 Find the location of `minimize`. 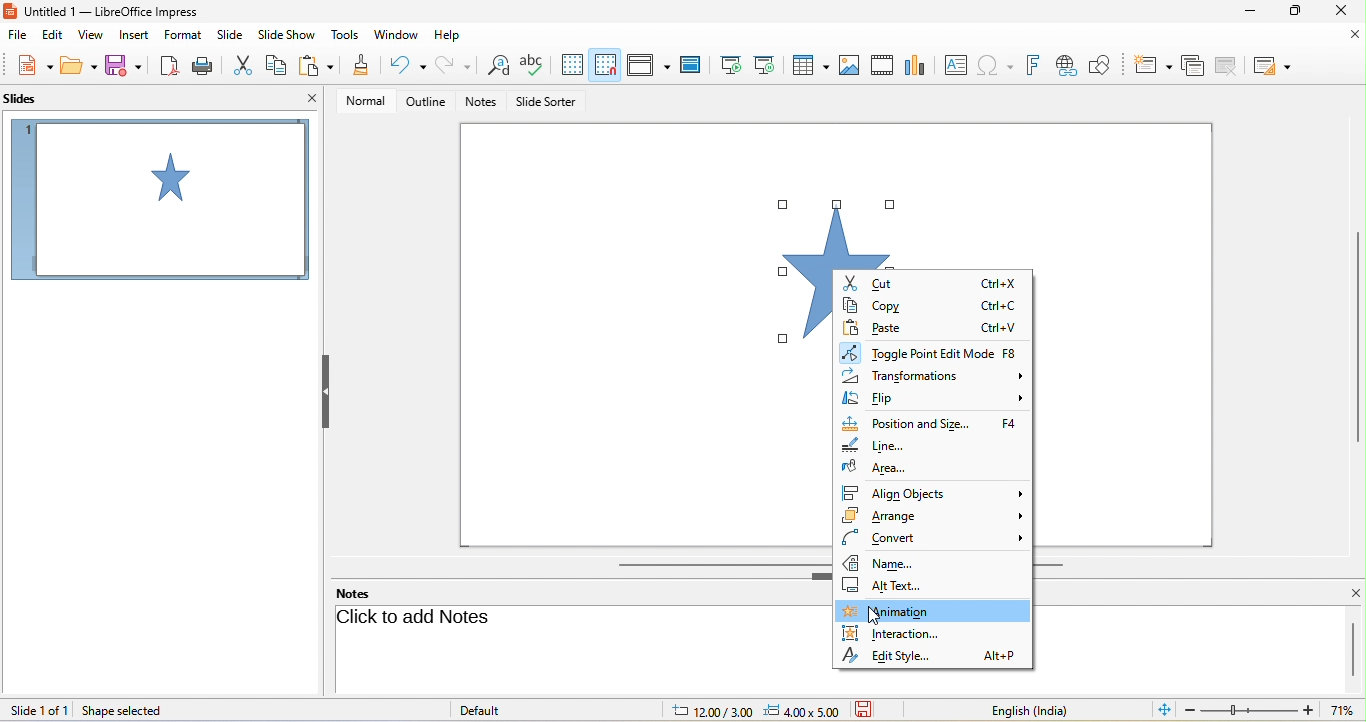

minimize is located at coordinates (1253, 10).